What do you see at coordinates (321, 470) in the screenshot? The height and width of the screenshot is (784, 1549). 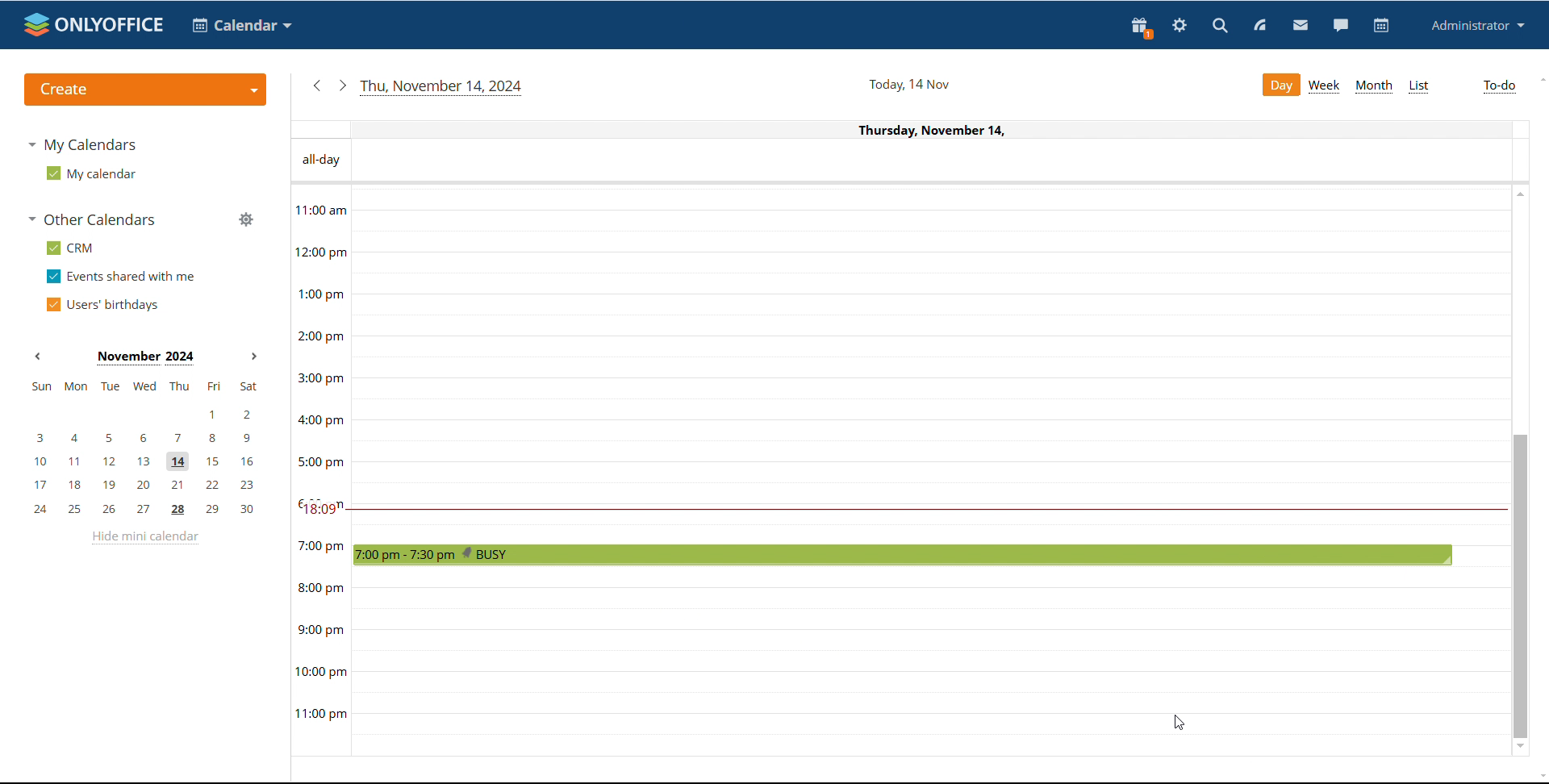 I see `timeline` at bounding box center [321, 470].